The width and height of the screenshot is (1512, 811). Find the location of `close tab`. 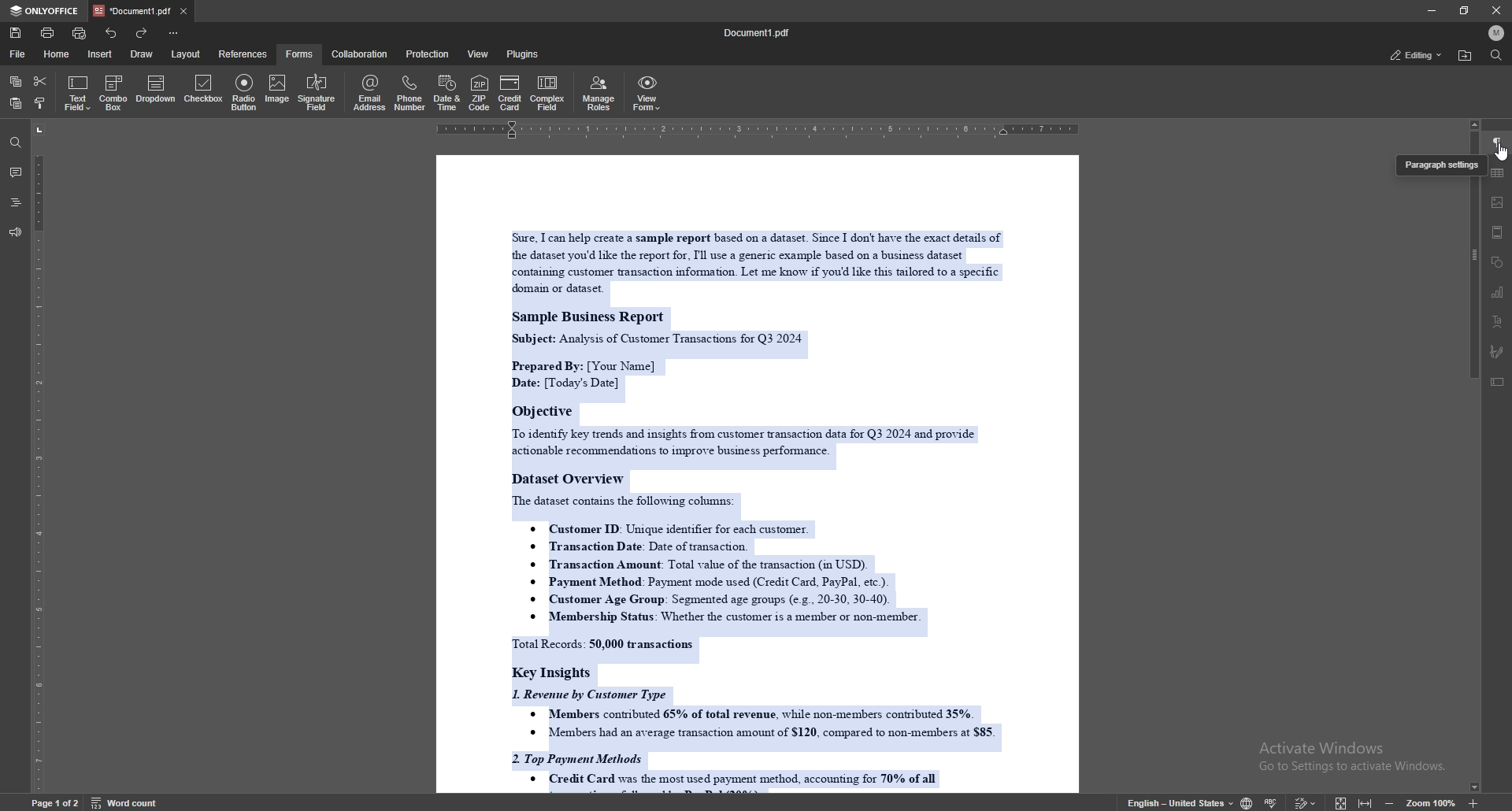

close tab is located at coordinates (183, 10).